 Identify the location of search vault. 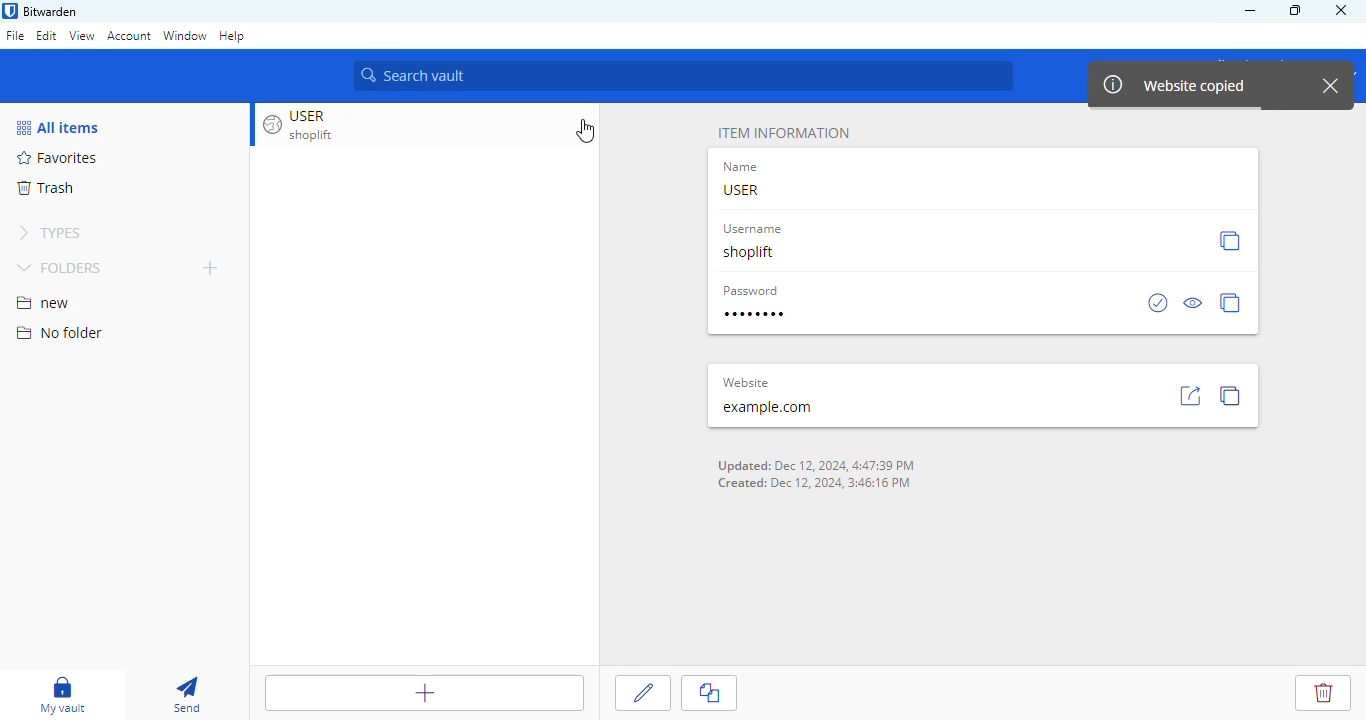
(684, 75).